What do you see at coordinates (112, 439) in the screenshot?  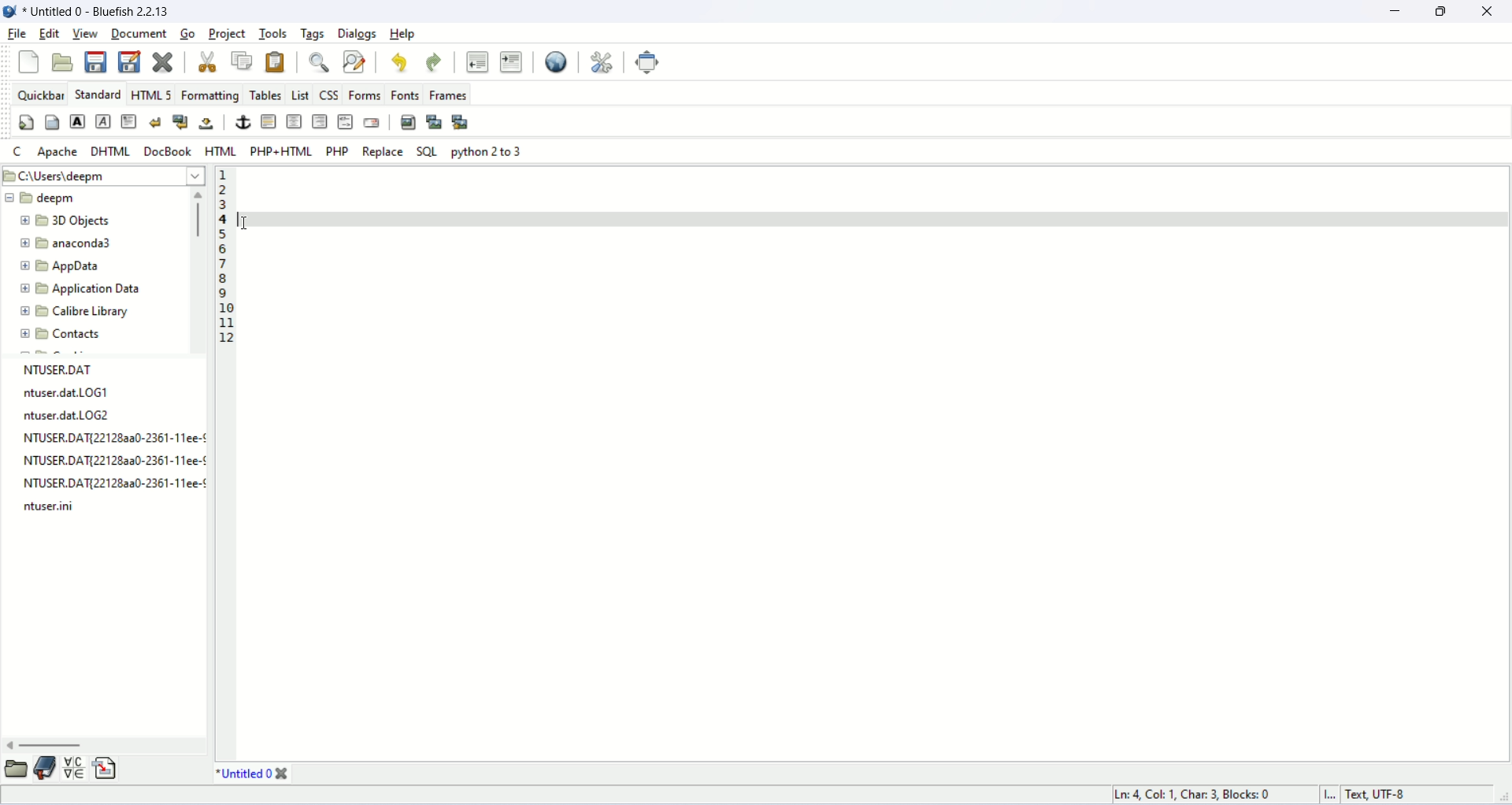 I see `filename` at bounding box center [112, 439].